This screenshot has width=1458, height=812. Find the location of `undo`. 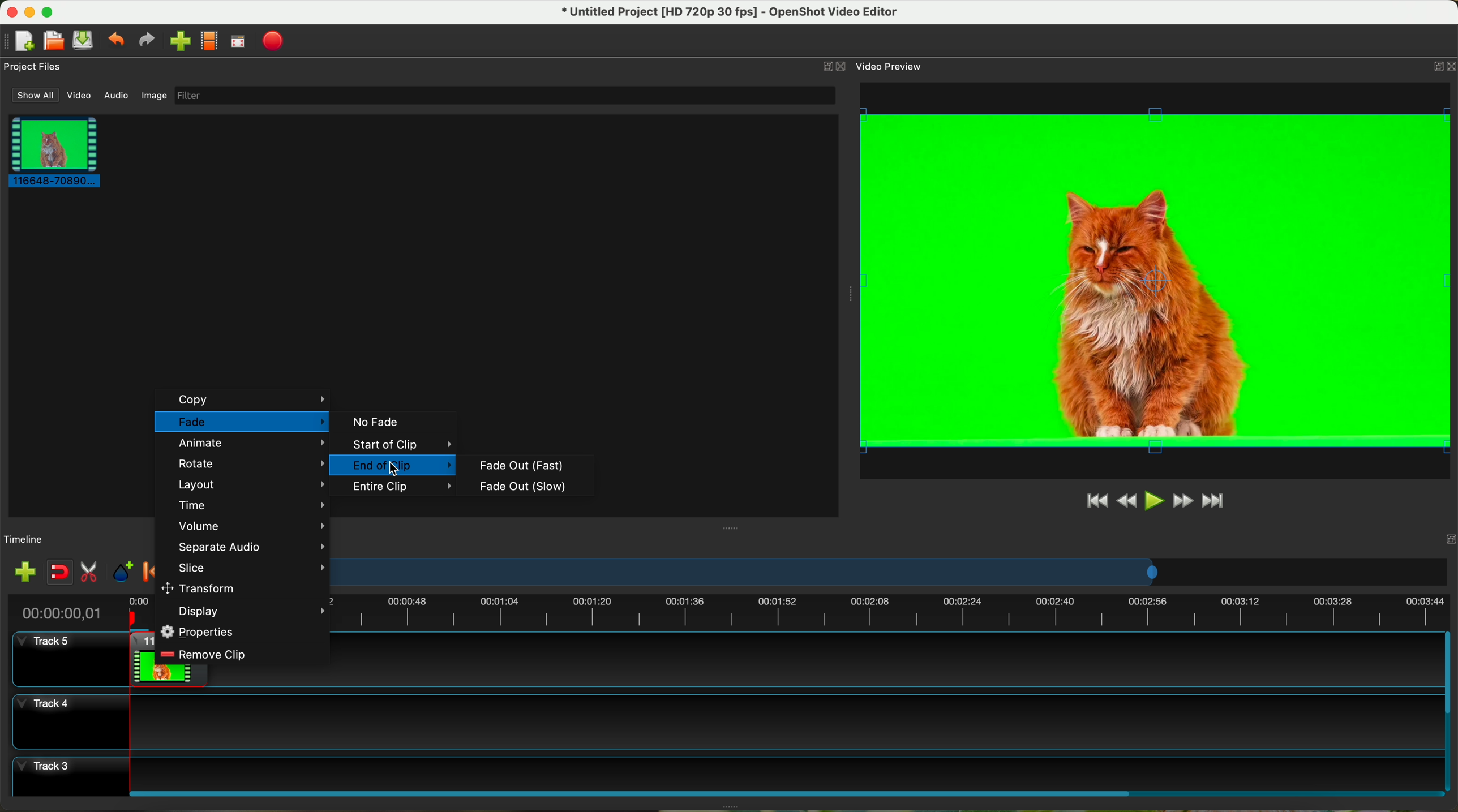

undo is located at coordinates (115, 38).